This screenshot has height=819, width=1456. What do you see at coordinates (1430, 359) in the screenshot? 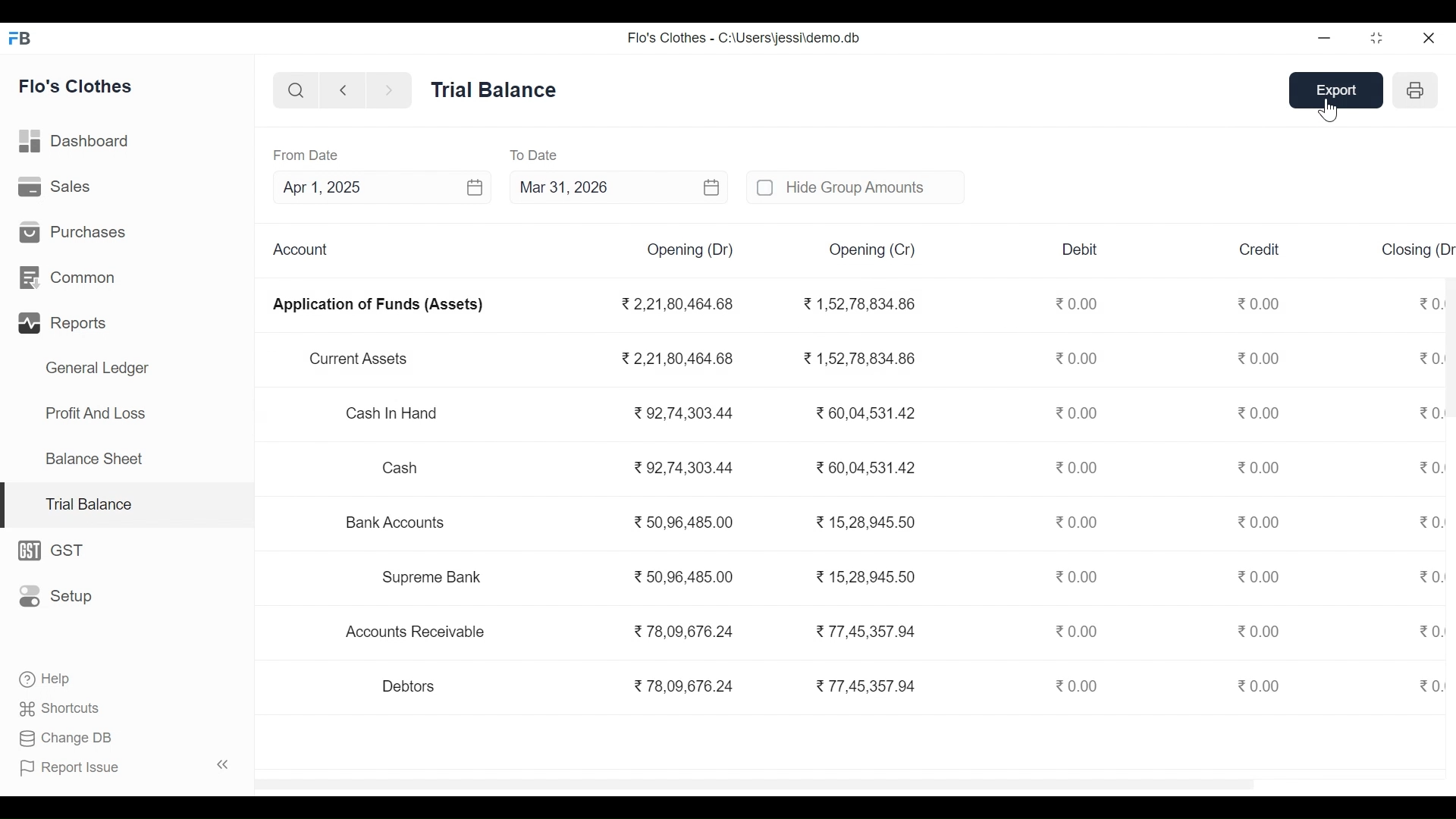
I see `0.00` at bounding box center [1430, 359].